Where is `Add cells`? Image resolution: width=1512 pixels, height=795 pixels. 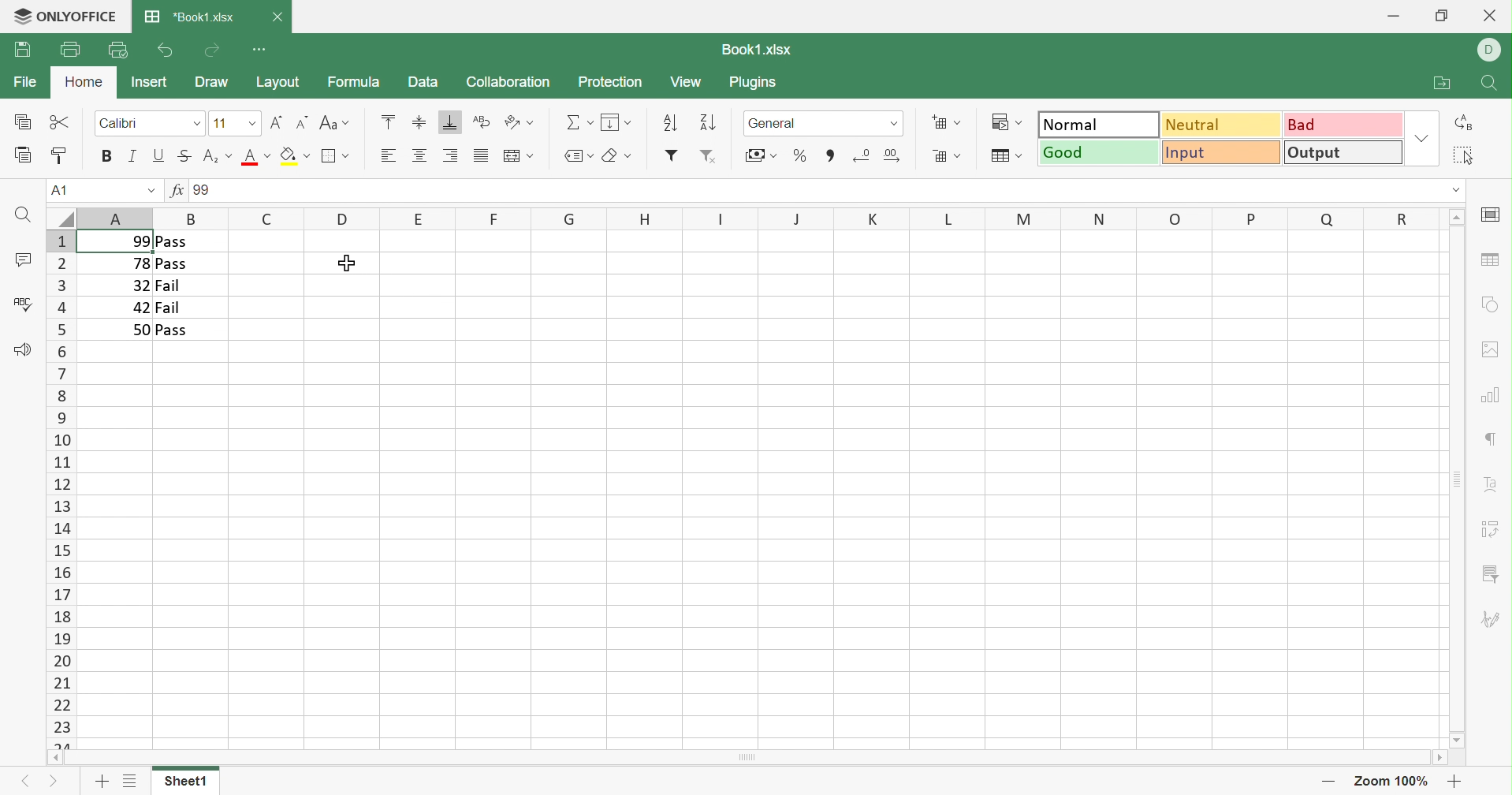
Add cells is located at coordinates (947, 123).